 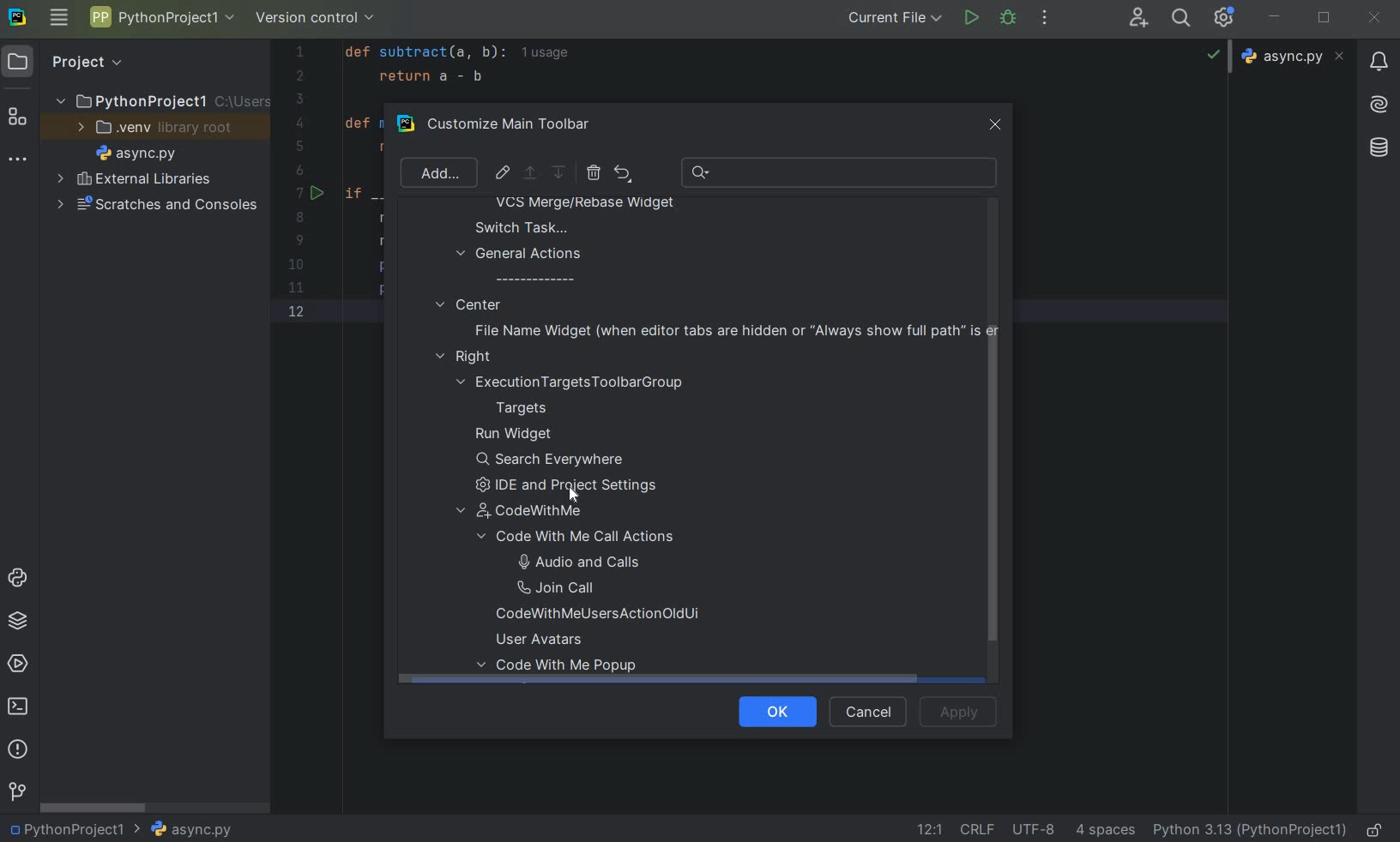 What do you see at coordinates (437, 172) in the screenshot?
I see `ADD` at bounding box center [437, 172].